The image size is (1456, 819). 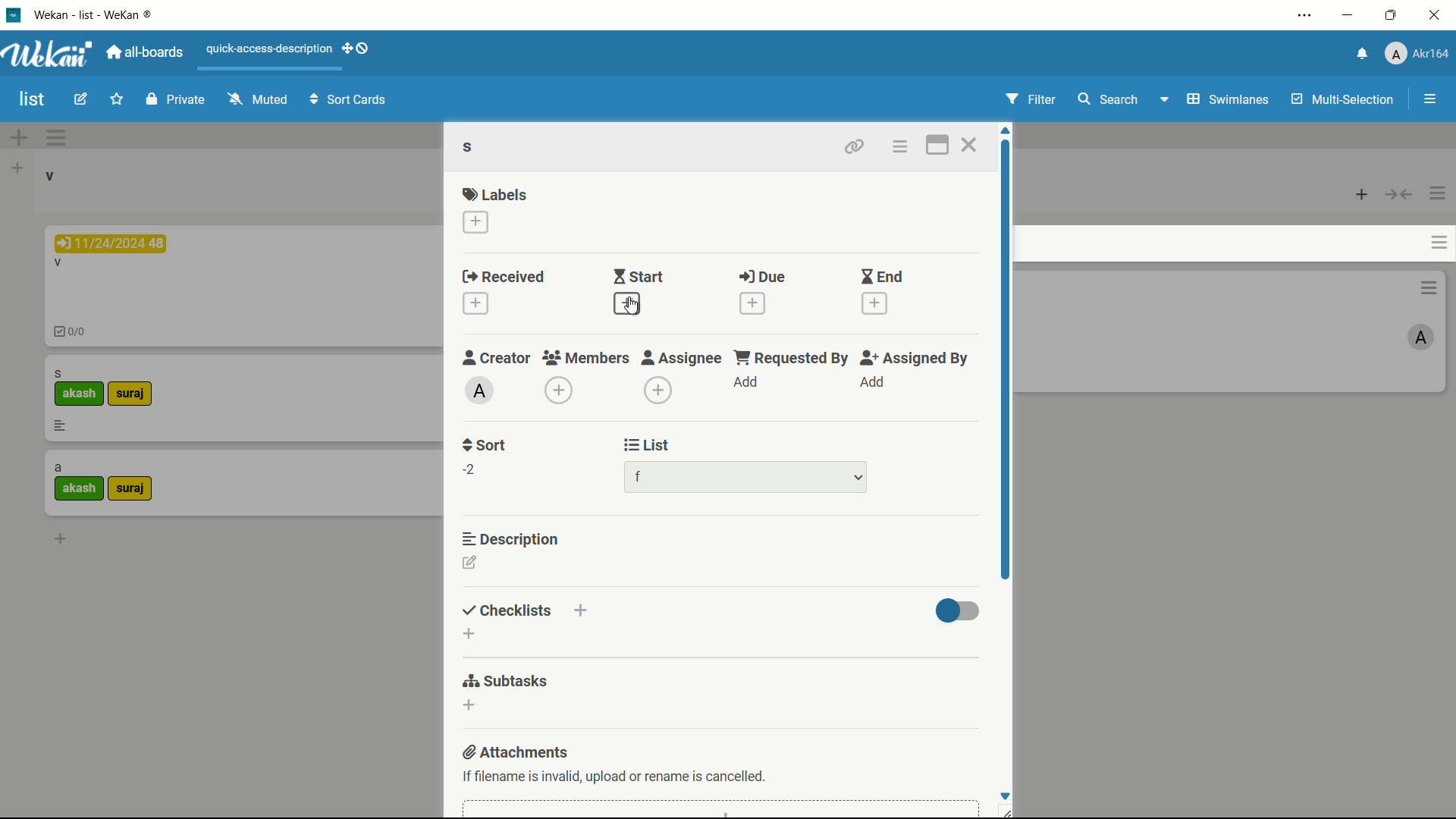 What do you see at coordinates (1166, 99) in the screenshot?
I see `Drop-down ` at bounding box center [1166, 99].